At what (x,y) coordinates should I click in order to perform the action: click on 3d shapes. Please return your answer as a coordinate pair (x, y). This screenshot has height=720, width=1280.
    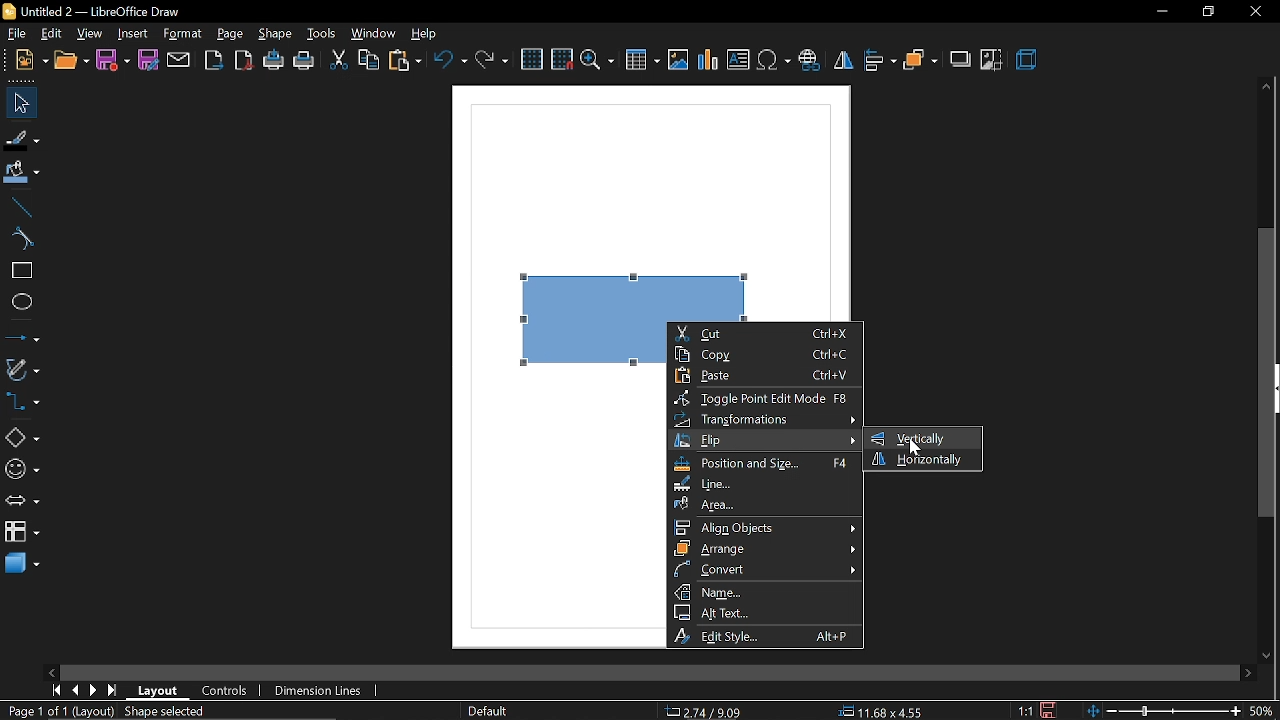
    Looking at the image, I should click on (22, 565).